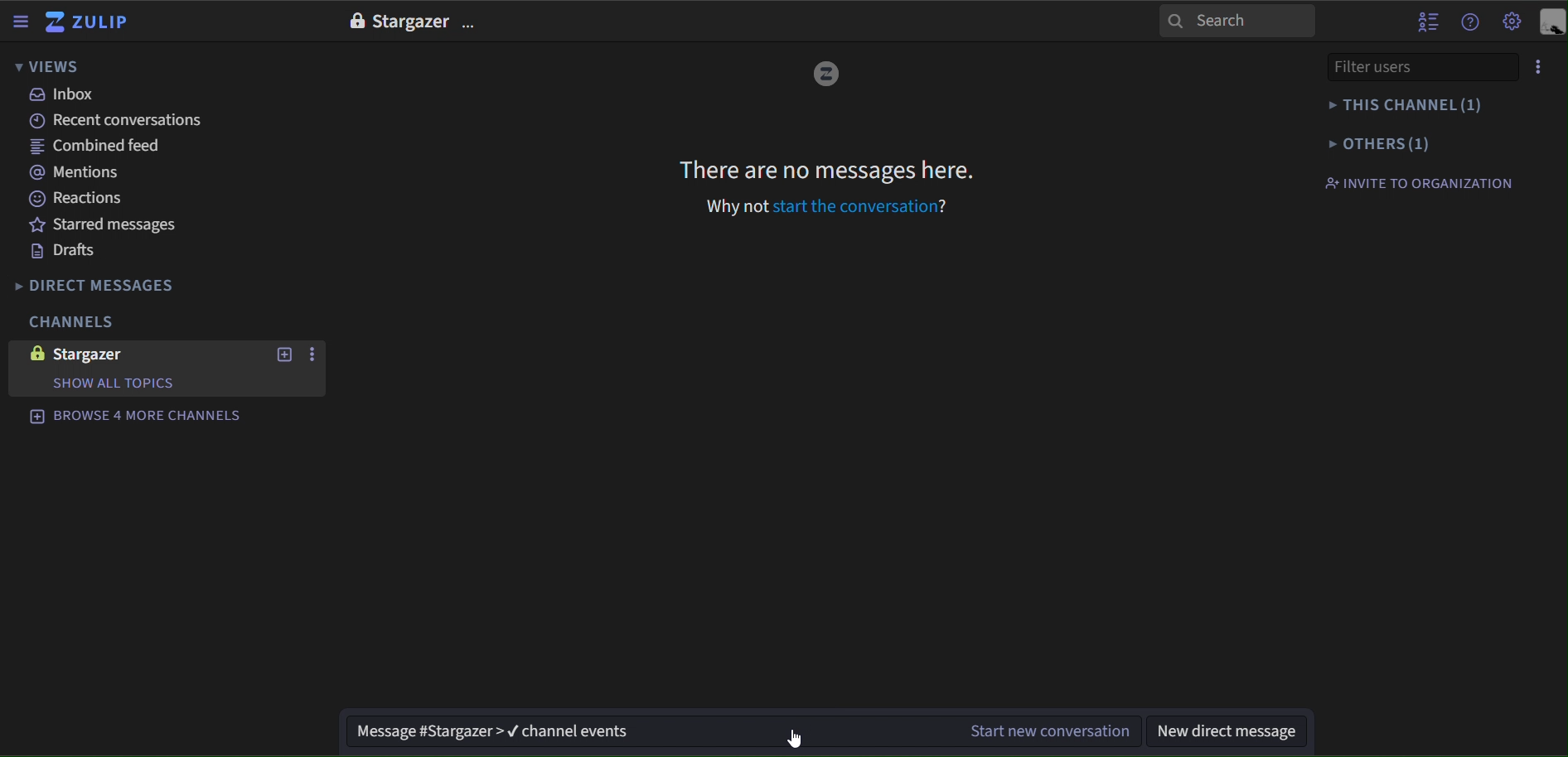 The height and width of the screenshot is (757, 1568). I want to click on inbox, so click(64, 94).